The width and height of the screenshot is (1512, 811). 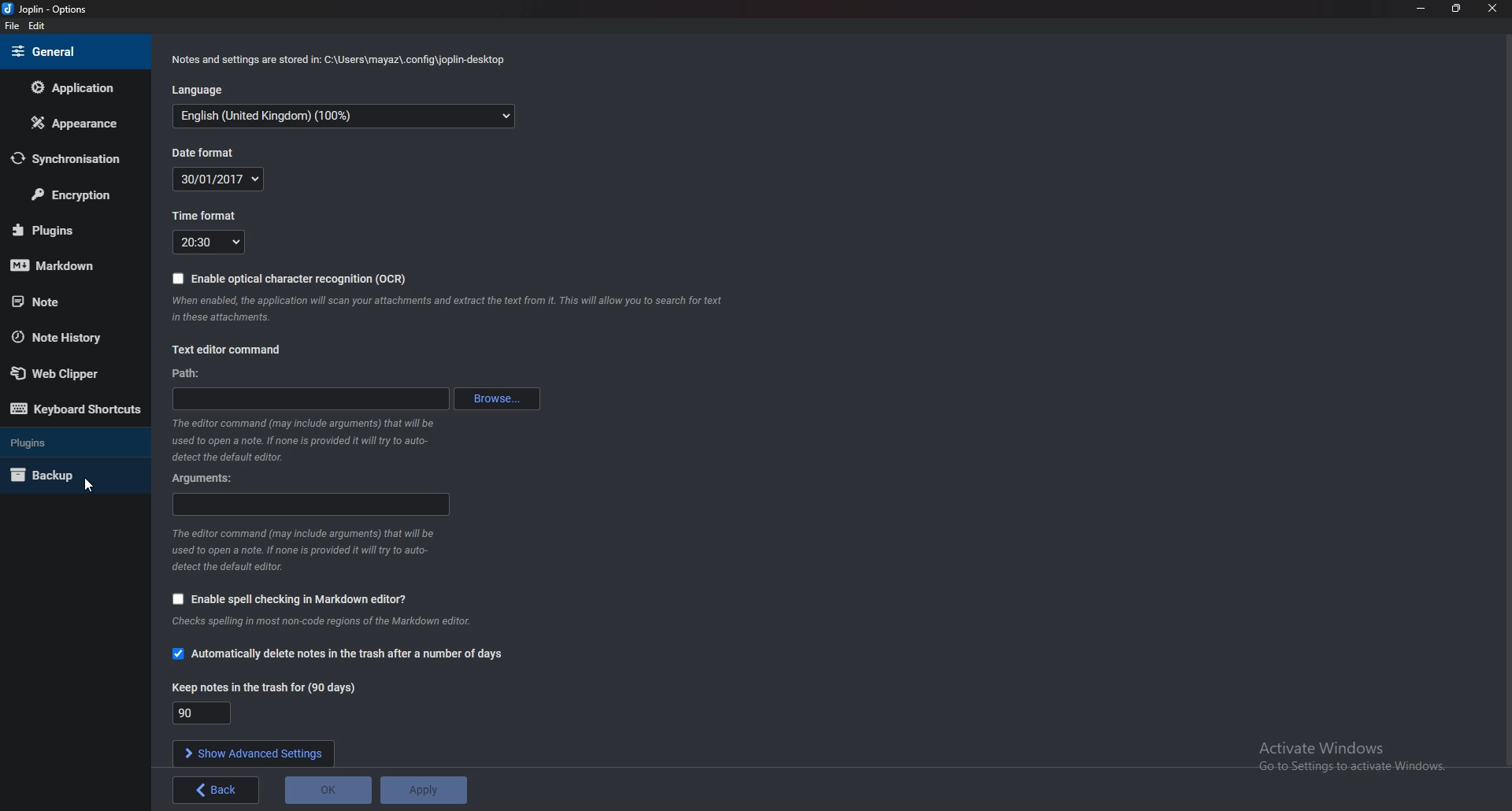 I want to click on enable spell checking, so click(x=287, y=598).